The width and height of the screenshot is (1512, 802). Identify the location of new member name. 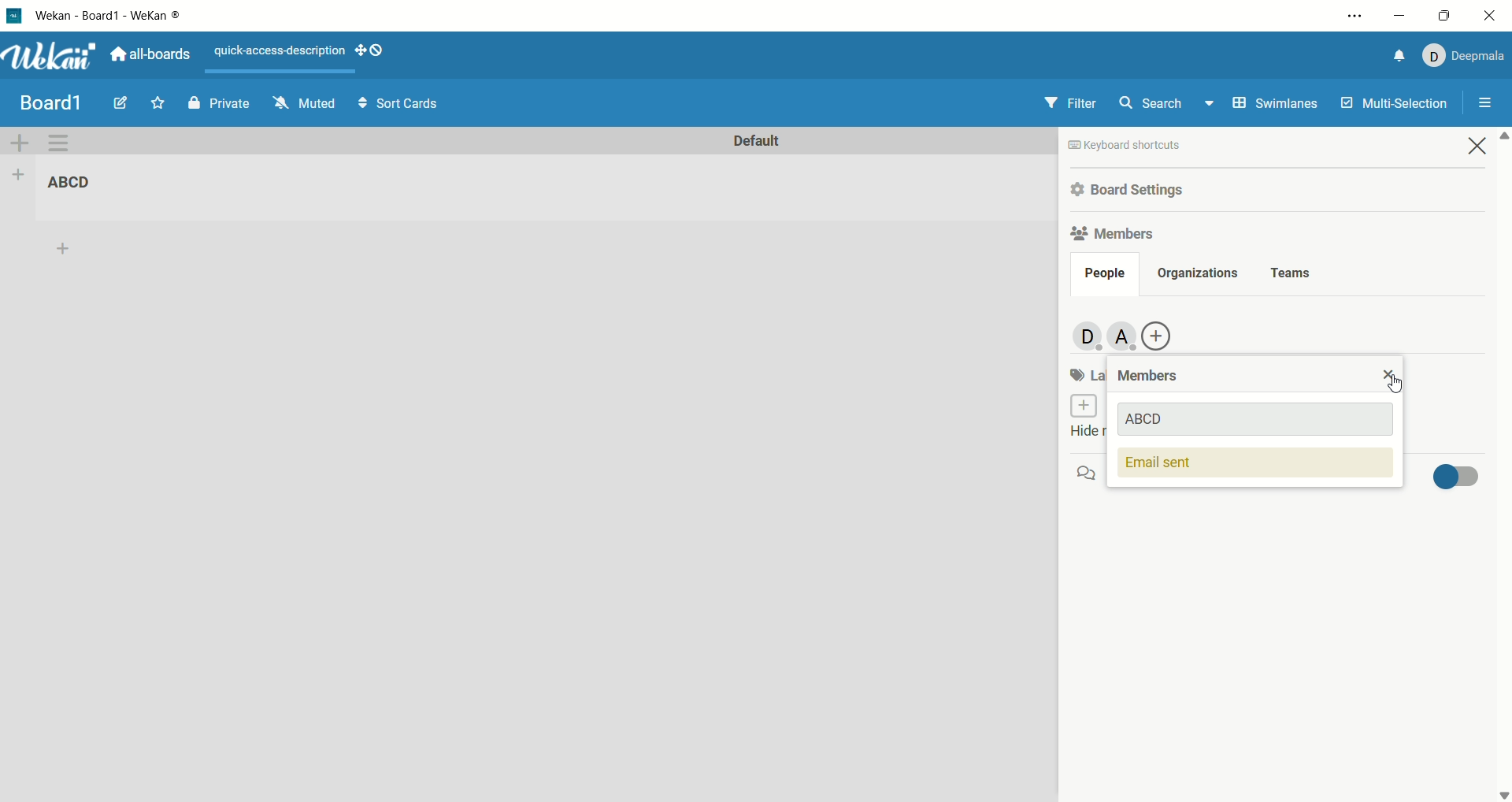
(1260, 420).